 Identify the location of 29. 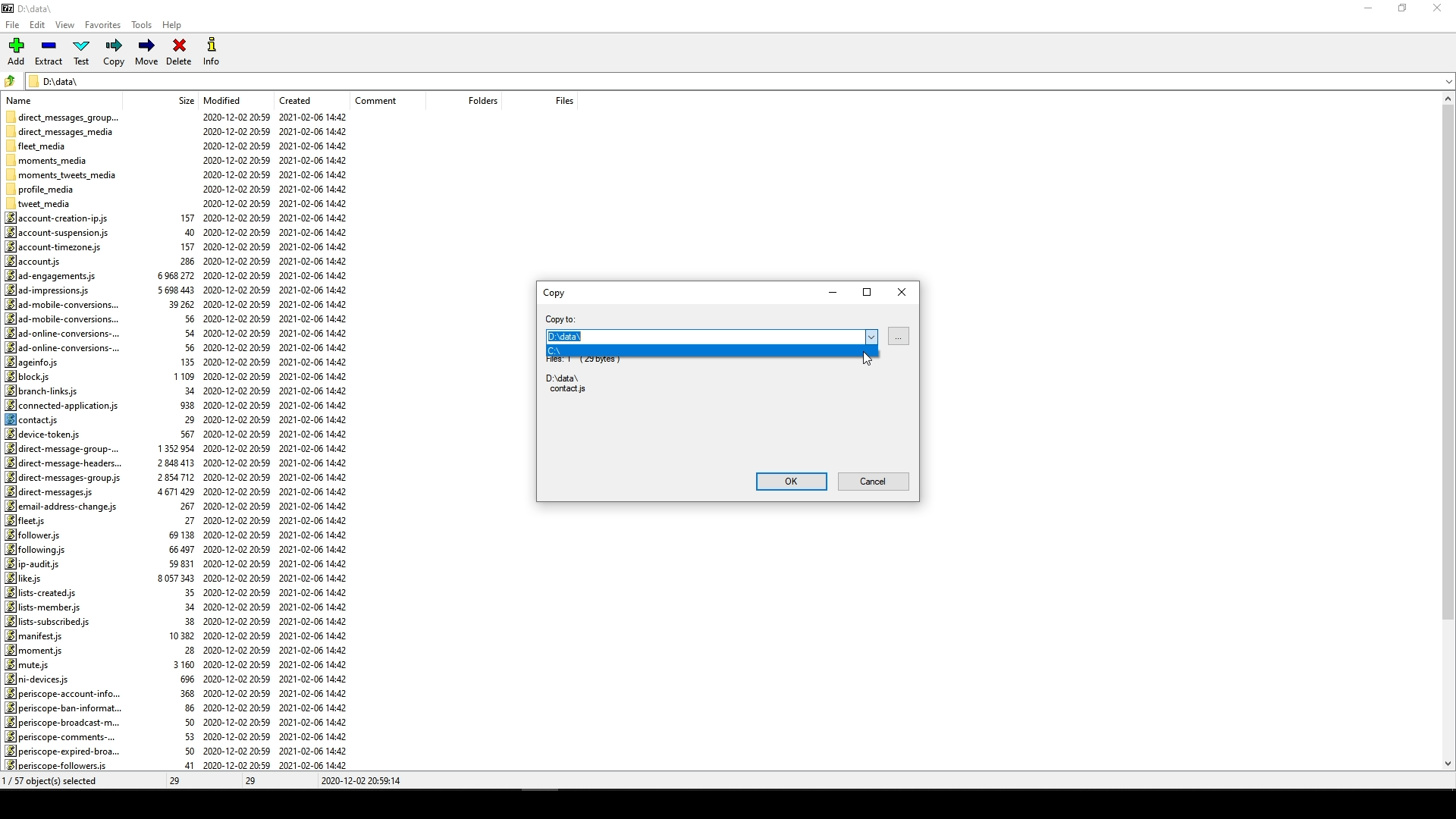
(179, 780).